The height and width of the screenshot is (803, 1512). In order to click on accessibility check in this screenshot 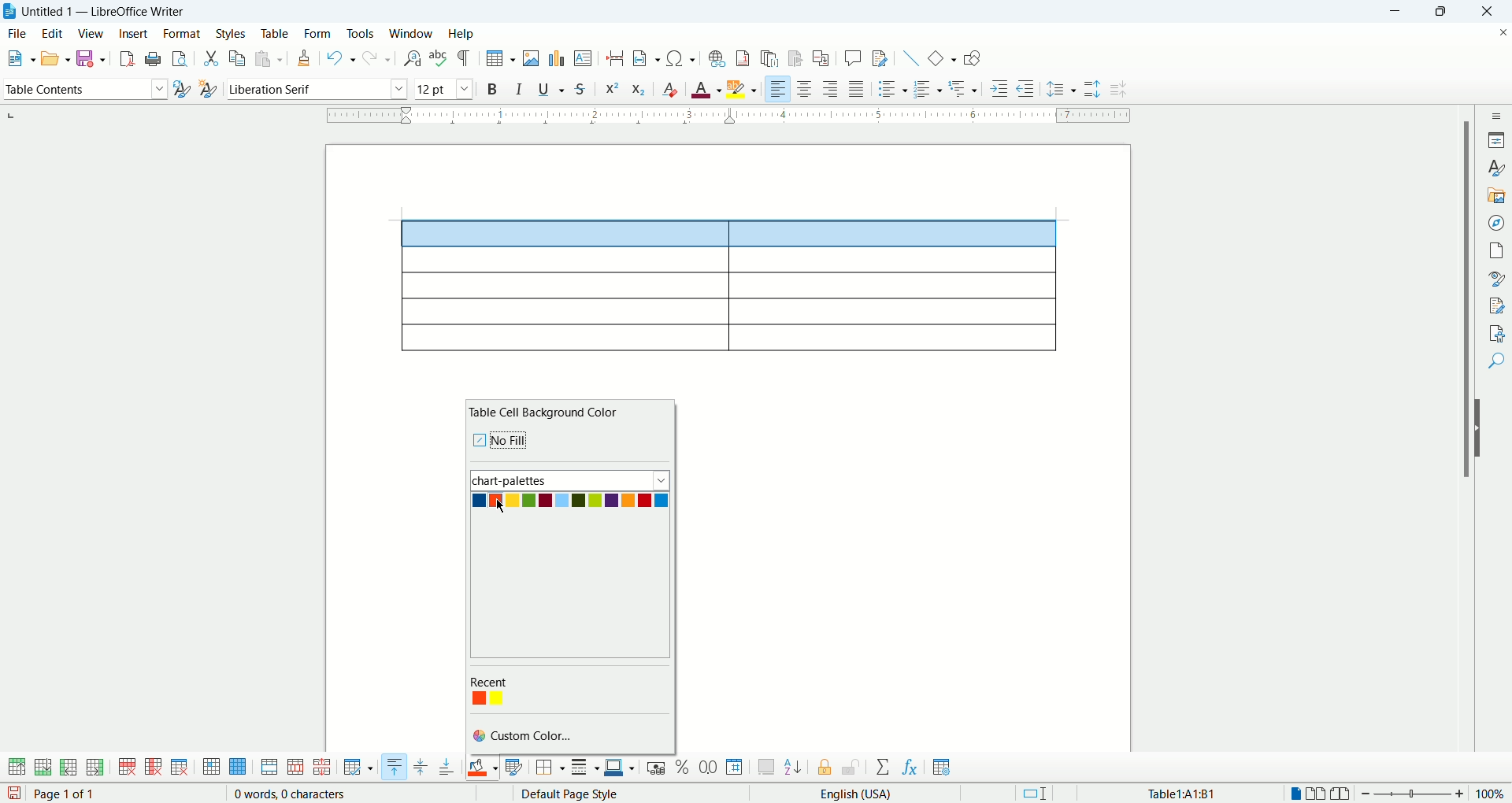, I will do `click(1497, 333)`.